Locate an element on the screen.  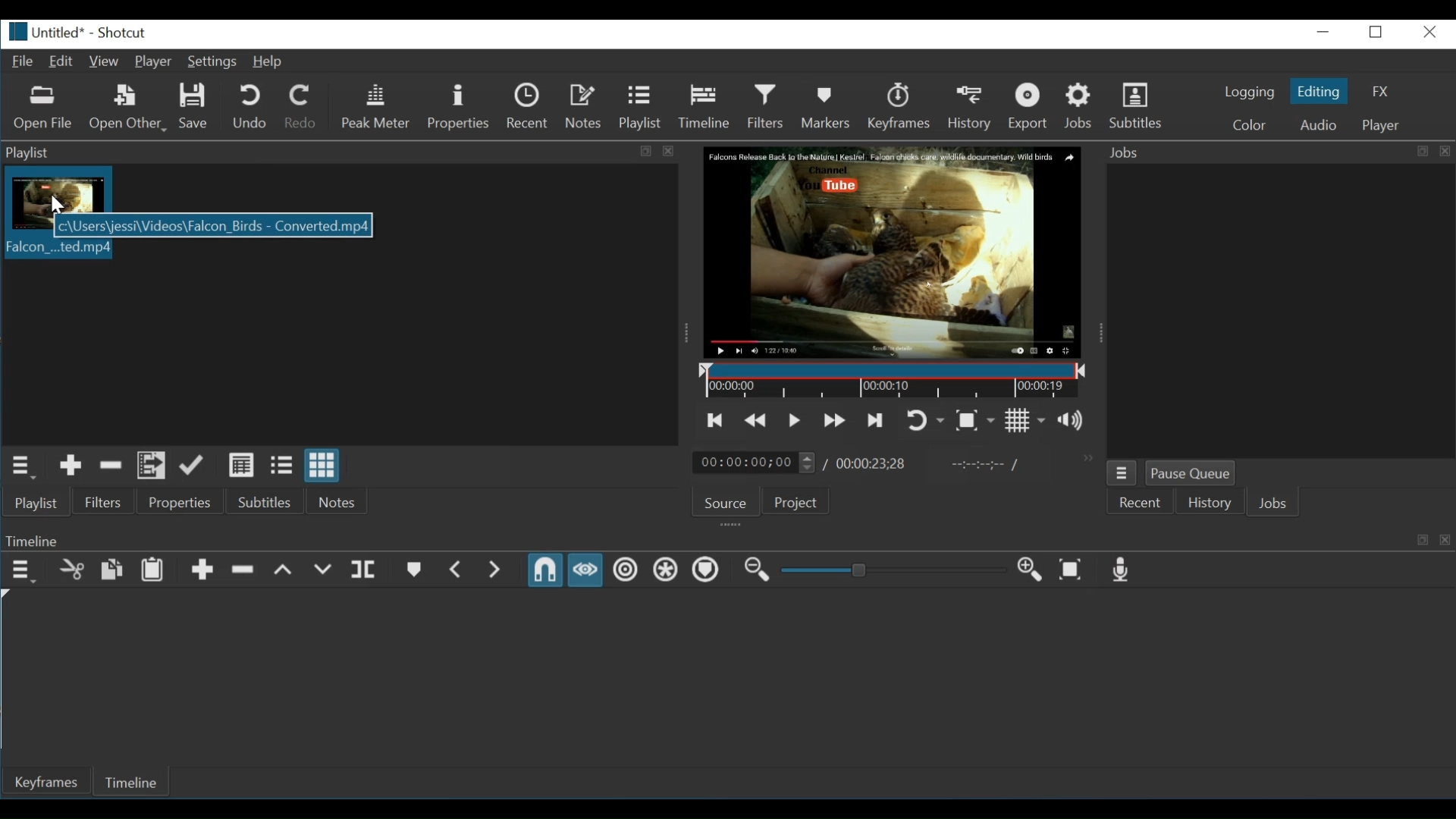
Cursor is located at coordinates (52, 205).